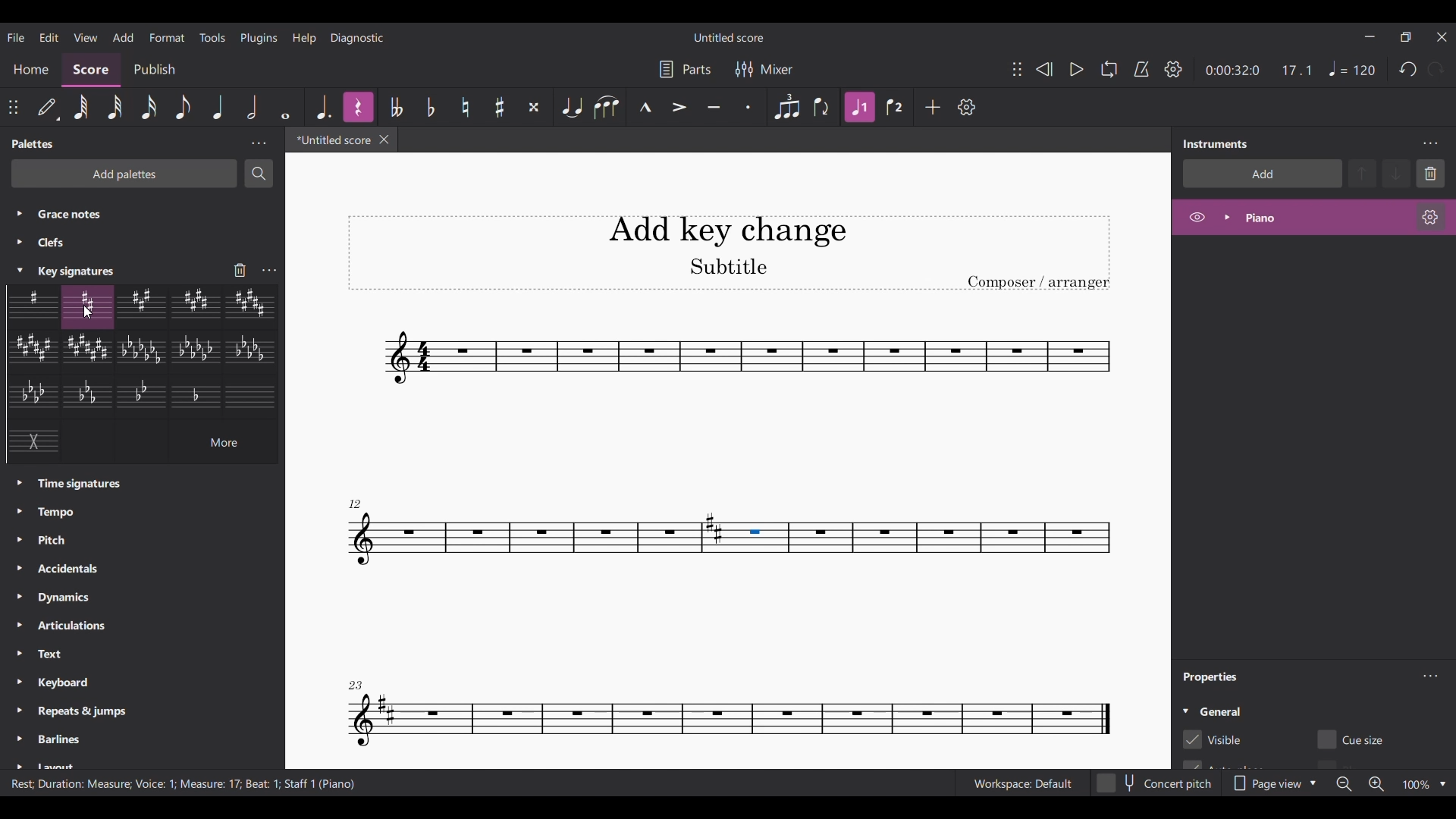  I want to click on Music score duration, so click(1260, 70).